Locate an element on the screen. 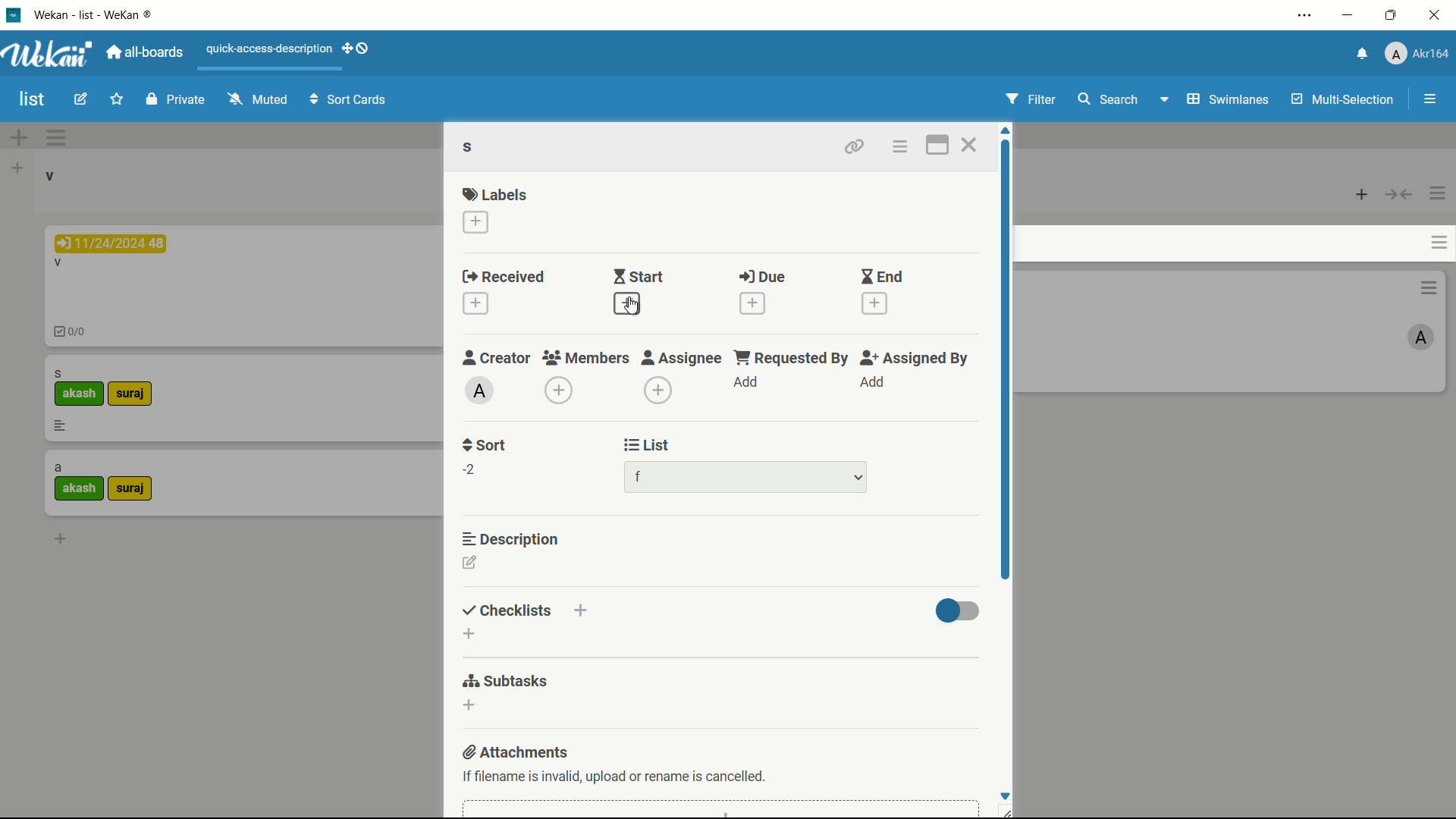 The height and width of the screenshot is (819, 1456). card name is located at coordinates (471, 149).